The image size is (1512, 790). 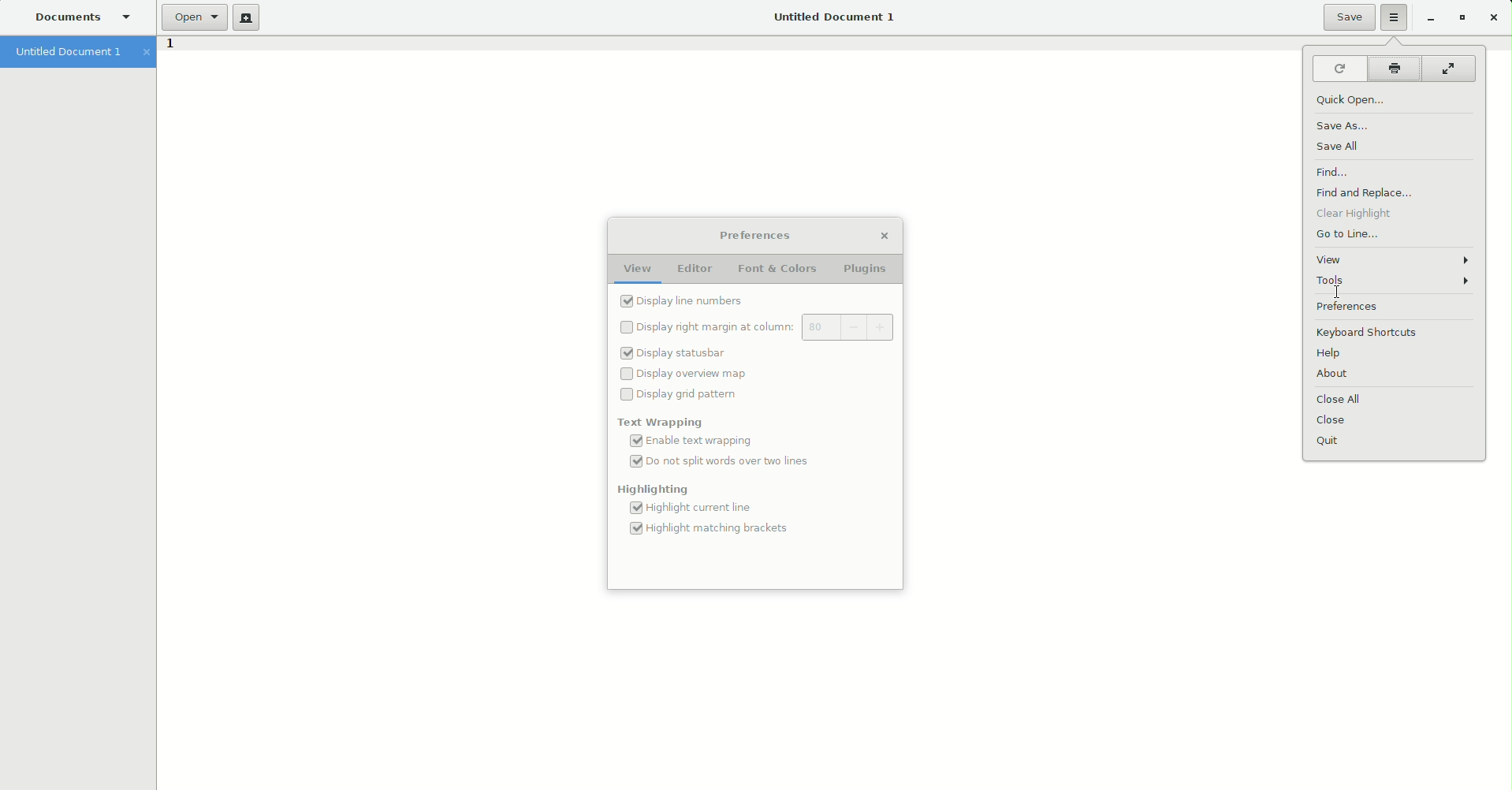 What do you see at coordinates (1347, 127) in the screenshot?
I see `Save as` at bounding box center [1347, 127].